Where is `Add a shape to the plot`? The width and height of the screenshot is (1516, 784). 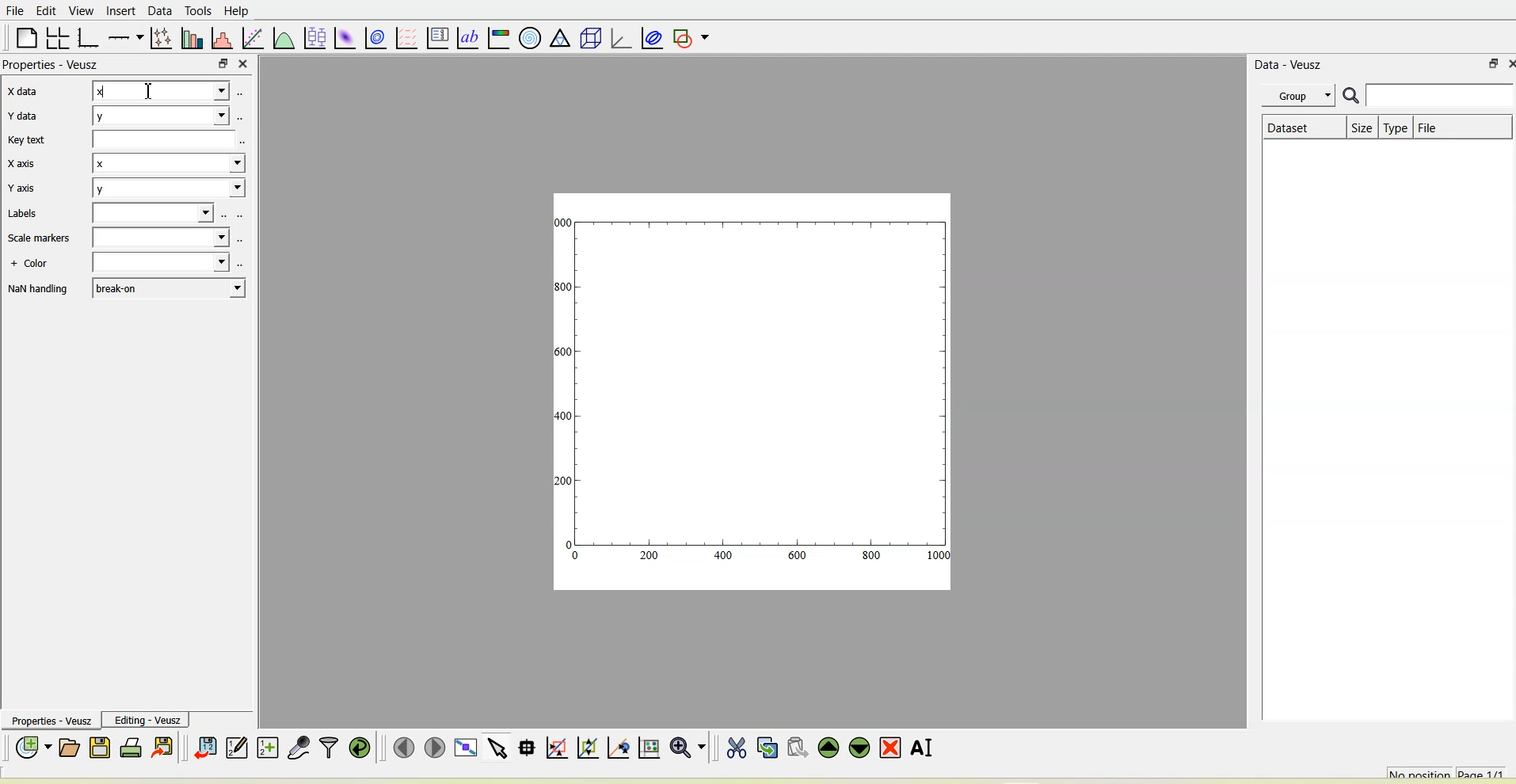
Add a shape to the plot is located at coordinates (689, 36).